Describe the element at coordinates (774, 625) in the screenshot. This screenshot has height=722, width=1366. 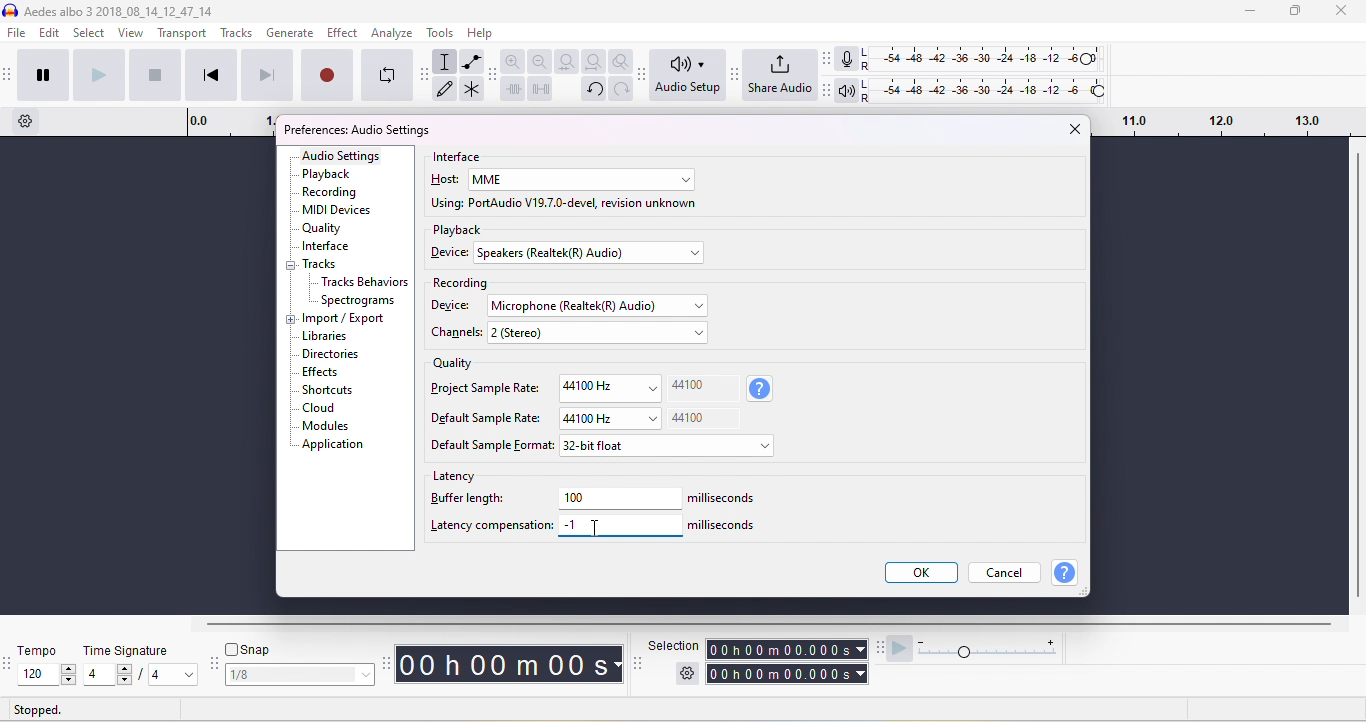
I see `horizontal scroll bar` at that location.